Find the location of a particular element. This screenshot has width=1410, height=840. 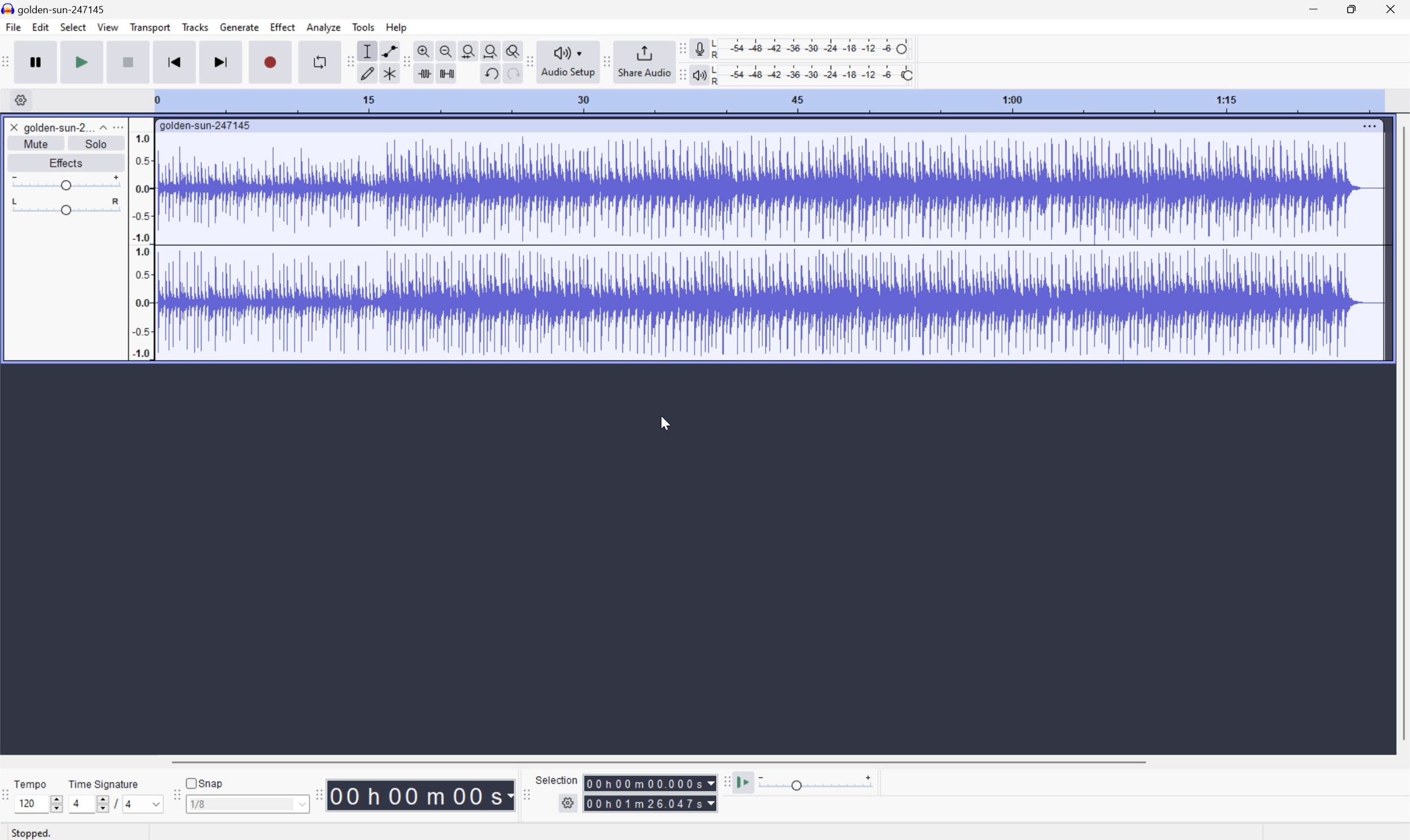

Zoom in is located at coordinates (426, 50).